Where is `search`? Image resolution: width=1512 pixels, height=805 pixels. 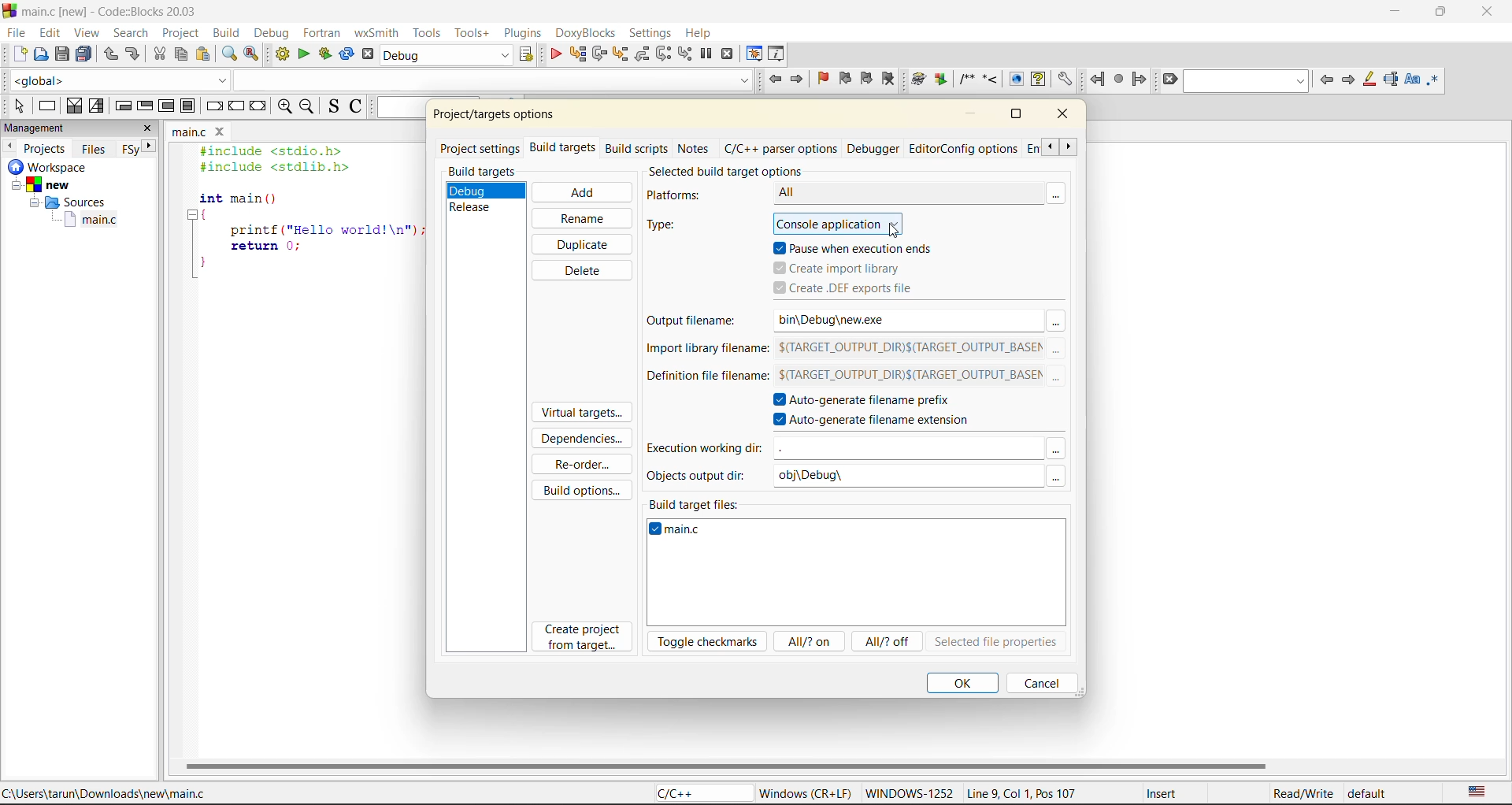 search is located at coordinates (1247, 82).